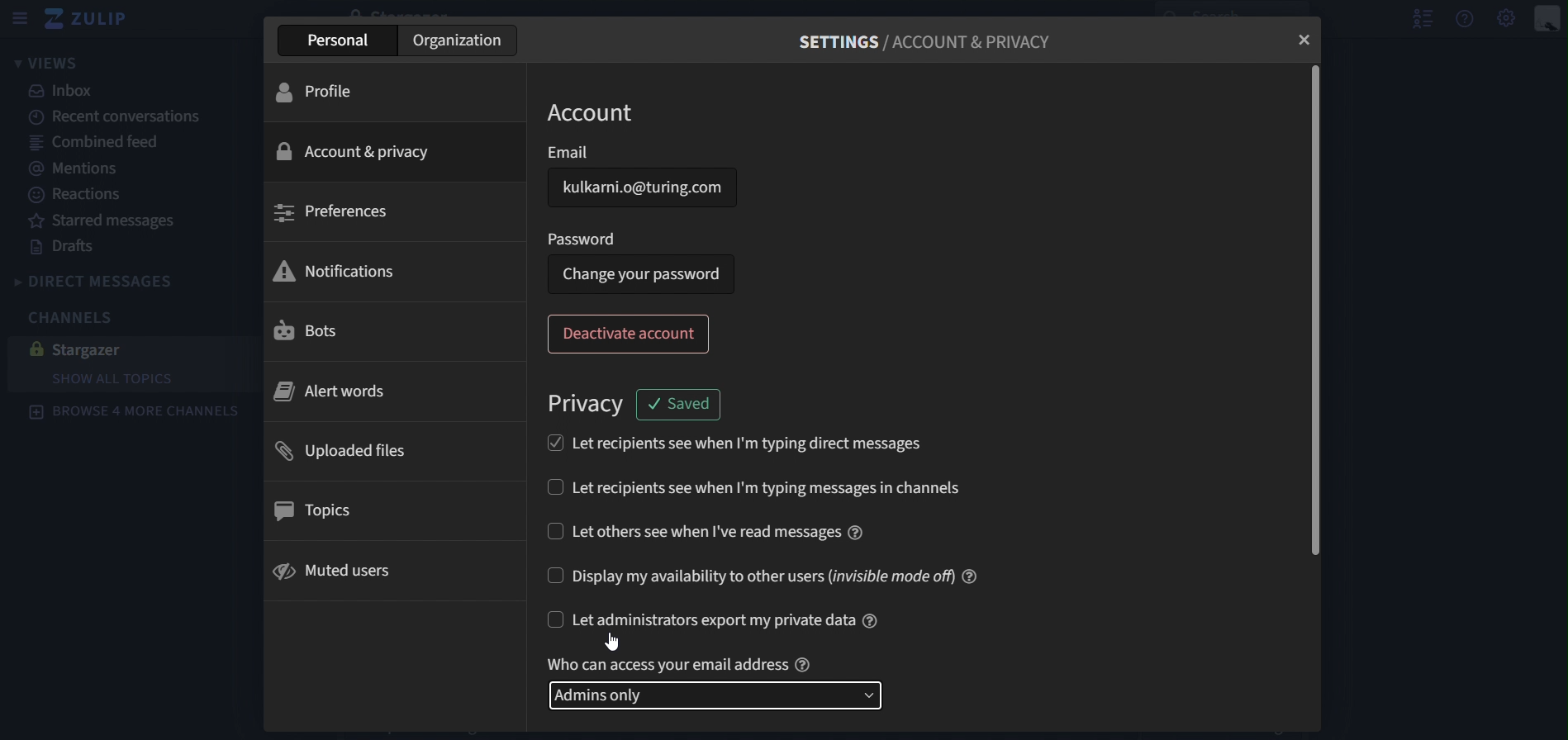  I want to click on email, so click(646, 187).